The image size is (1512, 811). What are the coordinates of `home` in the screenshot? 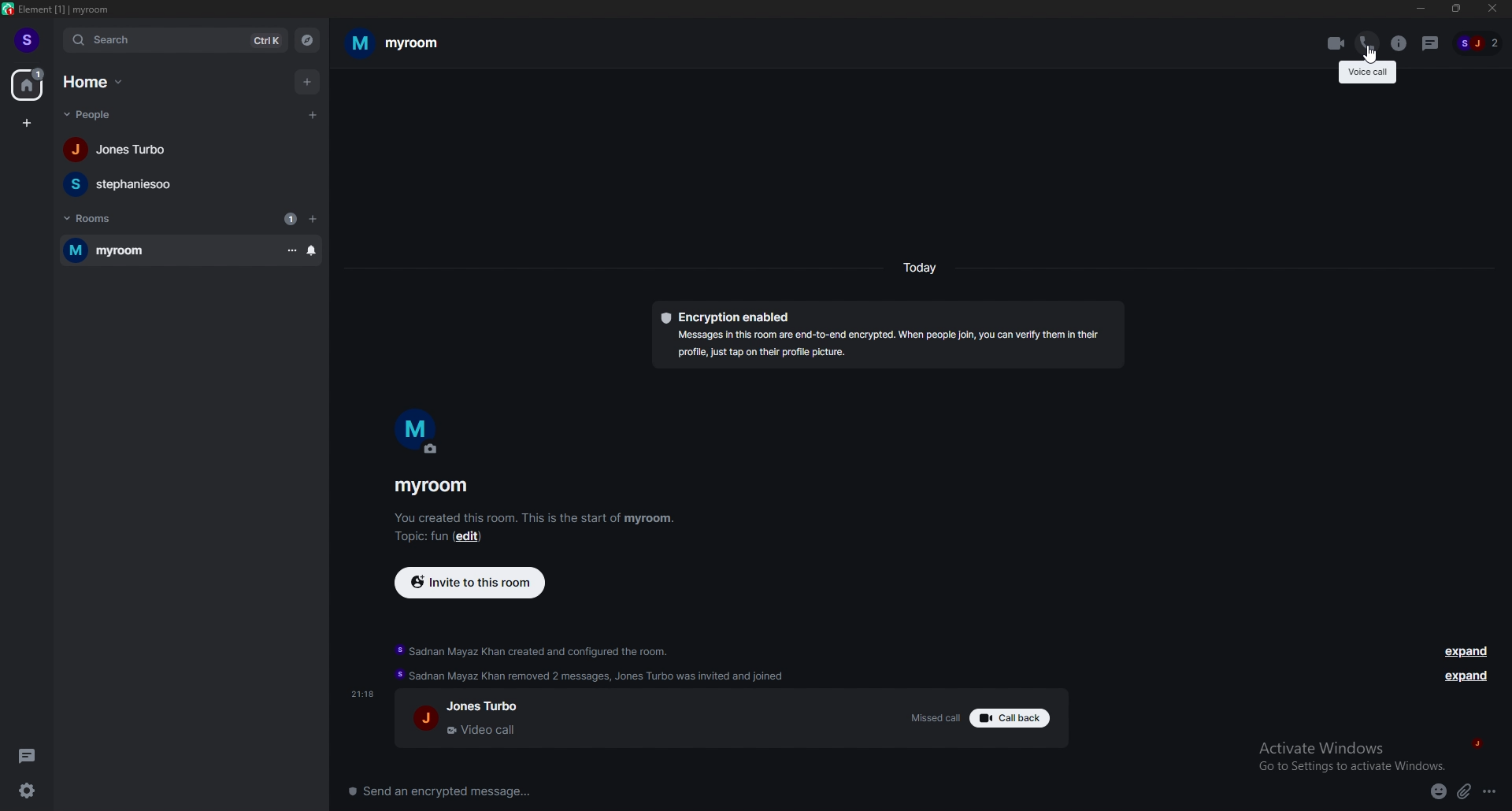 It's located at (98, 82).